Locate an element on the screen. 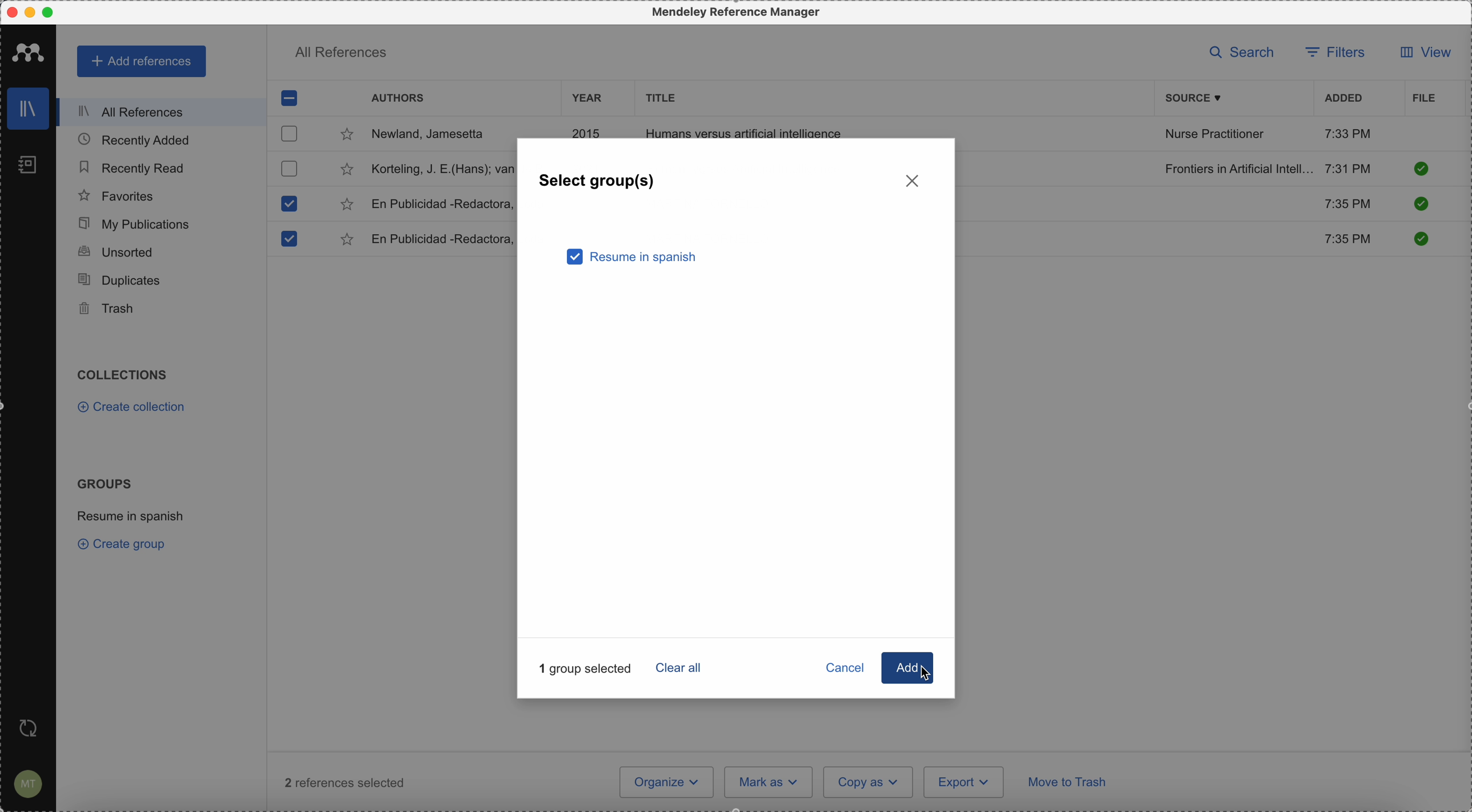  year is located at coordinates (588, 98).